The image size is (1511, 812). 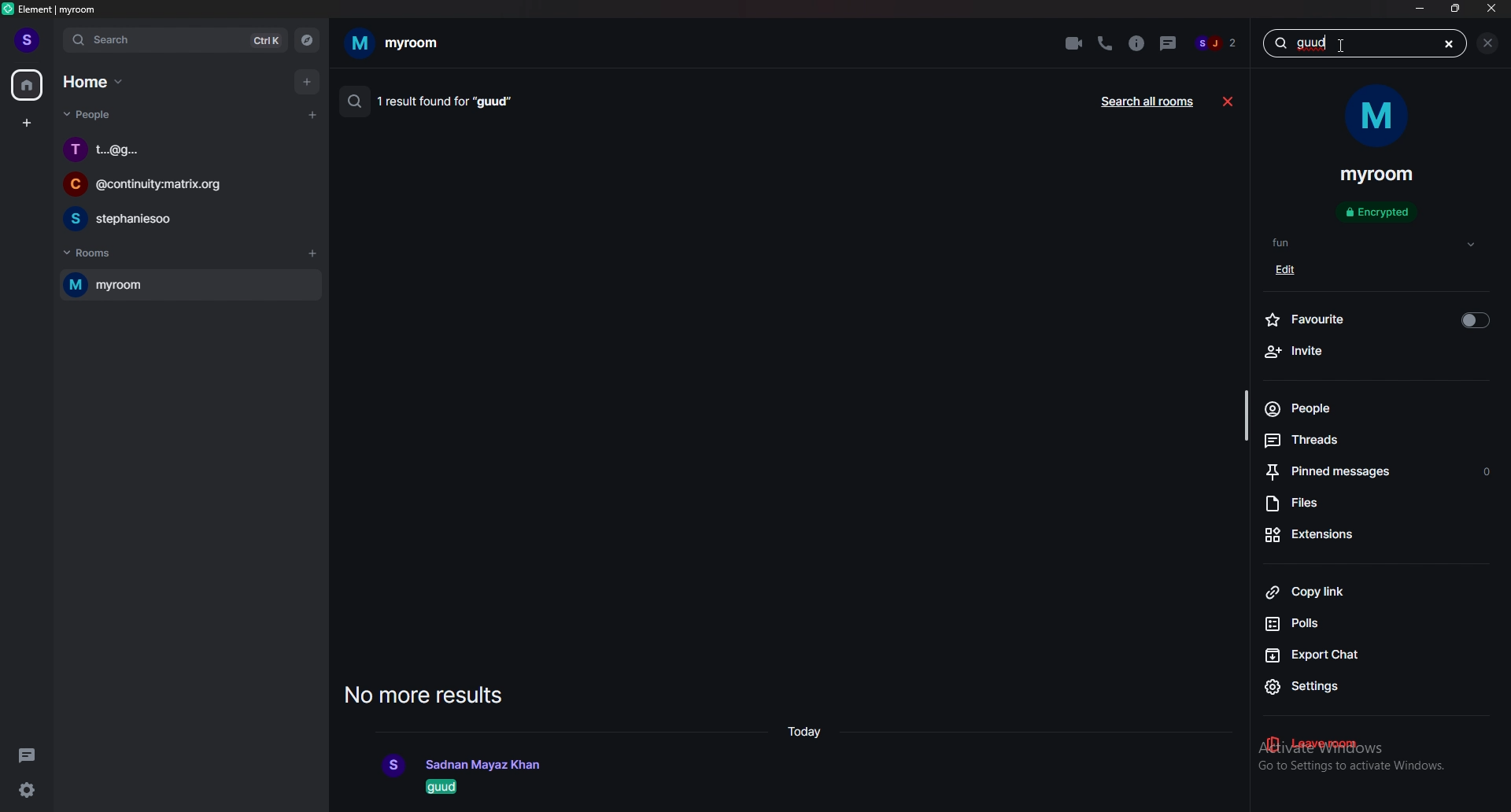 What do you see at coordinates (1132, 44) in the screenshot?
I see `room info` at bounding box center [1132, 44].